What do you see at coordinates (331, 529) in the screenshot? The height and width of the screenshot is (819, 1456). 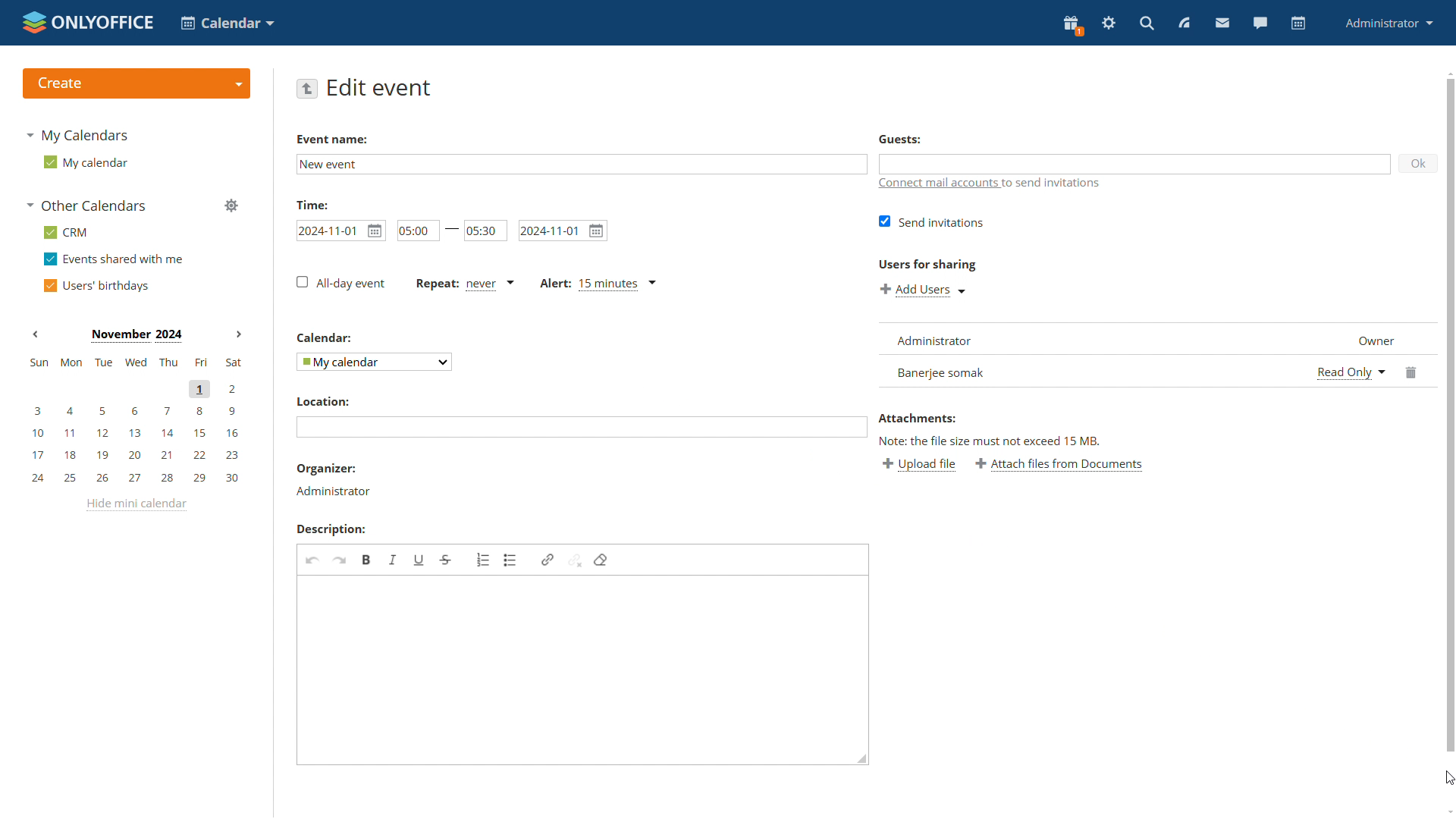 I see `Description` at bounding box center [331, 529].